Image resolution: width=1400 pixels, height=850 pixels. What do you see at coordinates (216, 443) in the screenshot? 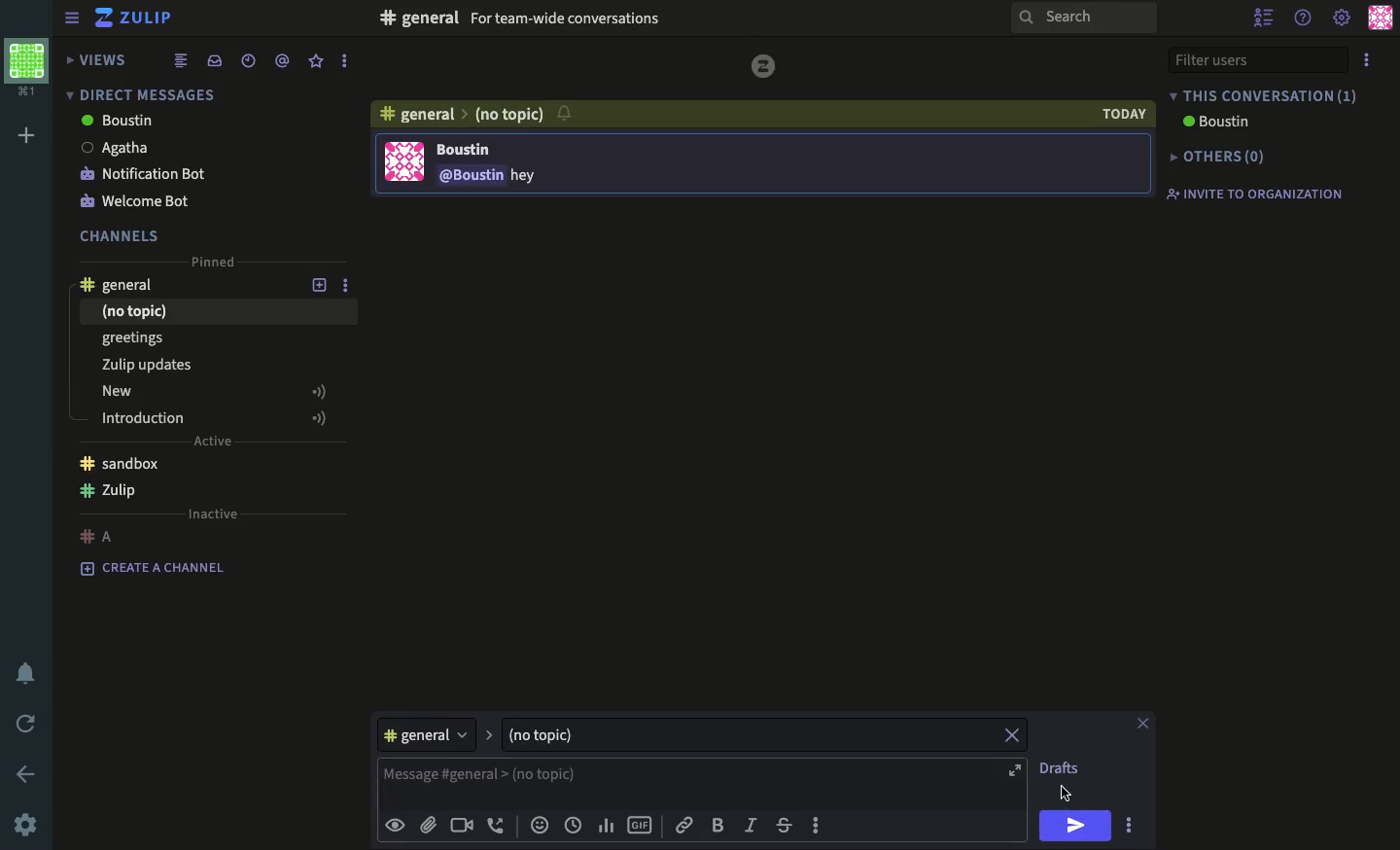
I see `Active` at bounding box center [216, 443].